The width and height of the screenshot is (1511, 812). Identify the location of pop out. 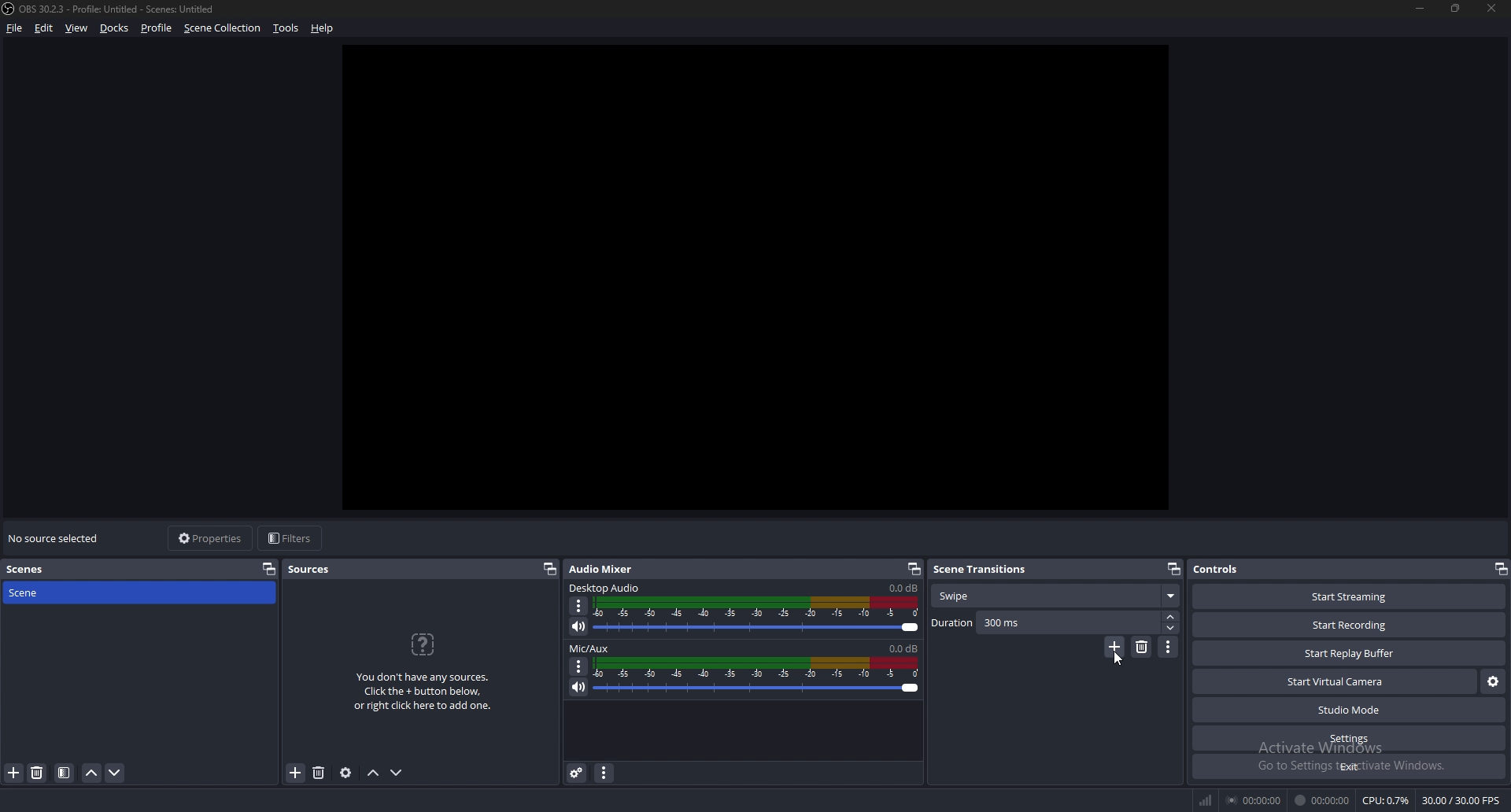
(1500, 570).